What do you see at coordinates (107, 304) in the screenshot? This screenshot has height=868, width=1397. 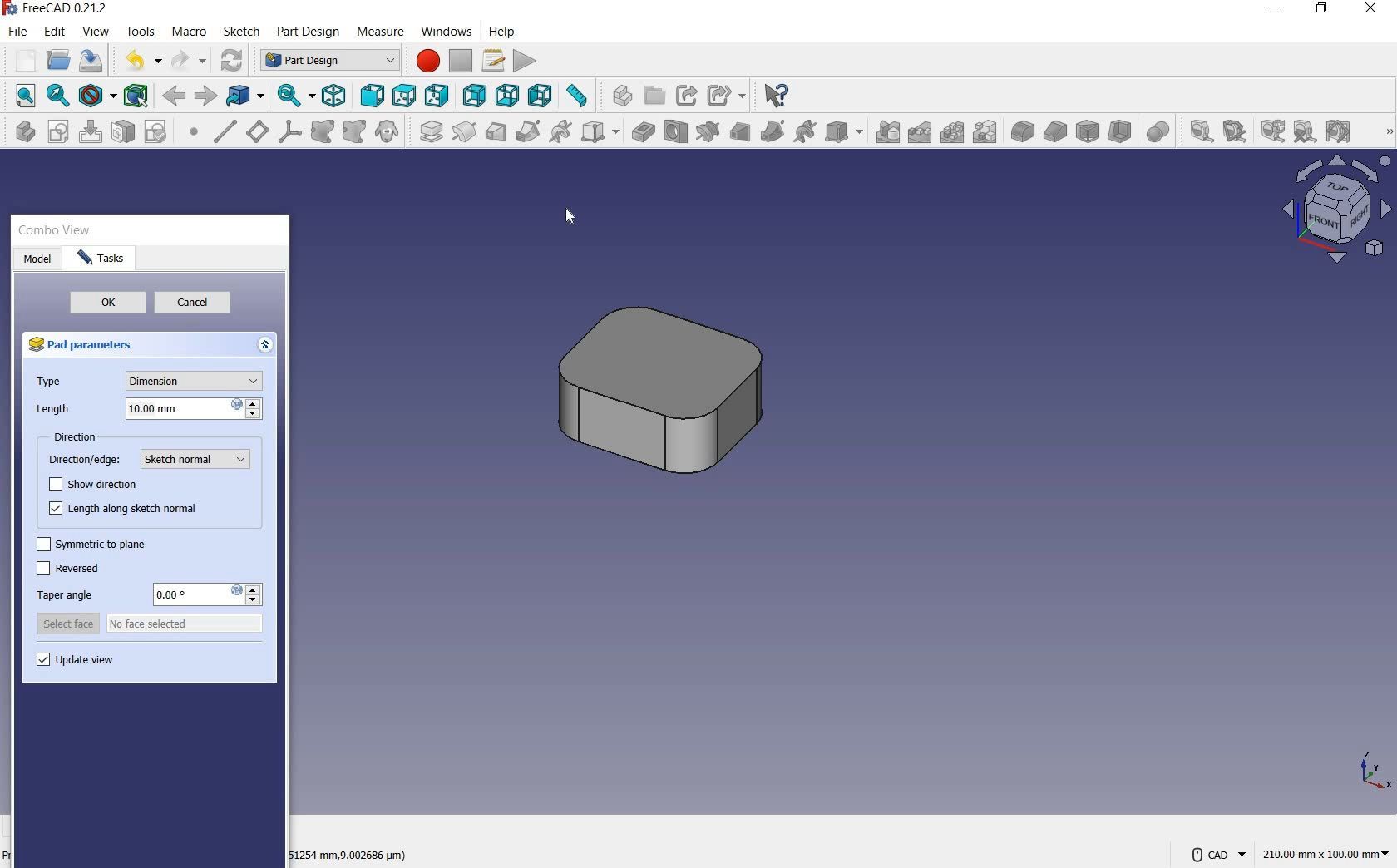 I see `ok` at bounding box center [107, 304].